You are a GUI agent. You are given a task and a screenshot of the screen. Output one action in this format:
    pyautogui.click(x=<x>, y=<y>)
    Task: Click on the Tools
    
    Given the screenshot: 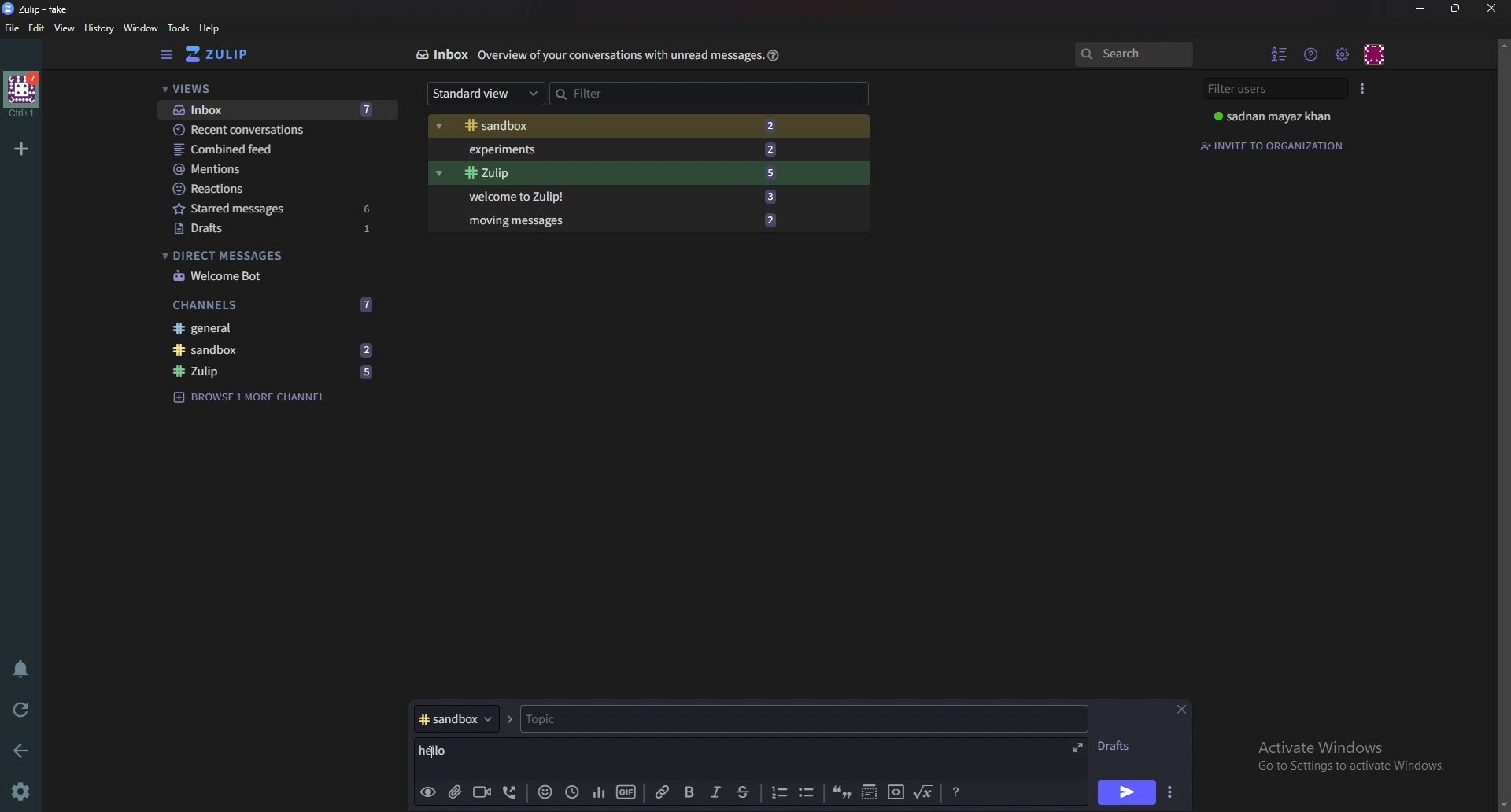 What is the action you would take?
    pyautogui.click(x=180, y=28)
    